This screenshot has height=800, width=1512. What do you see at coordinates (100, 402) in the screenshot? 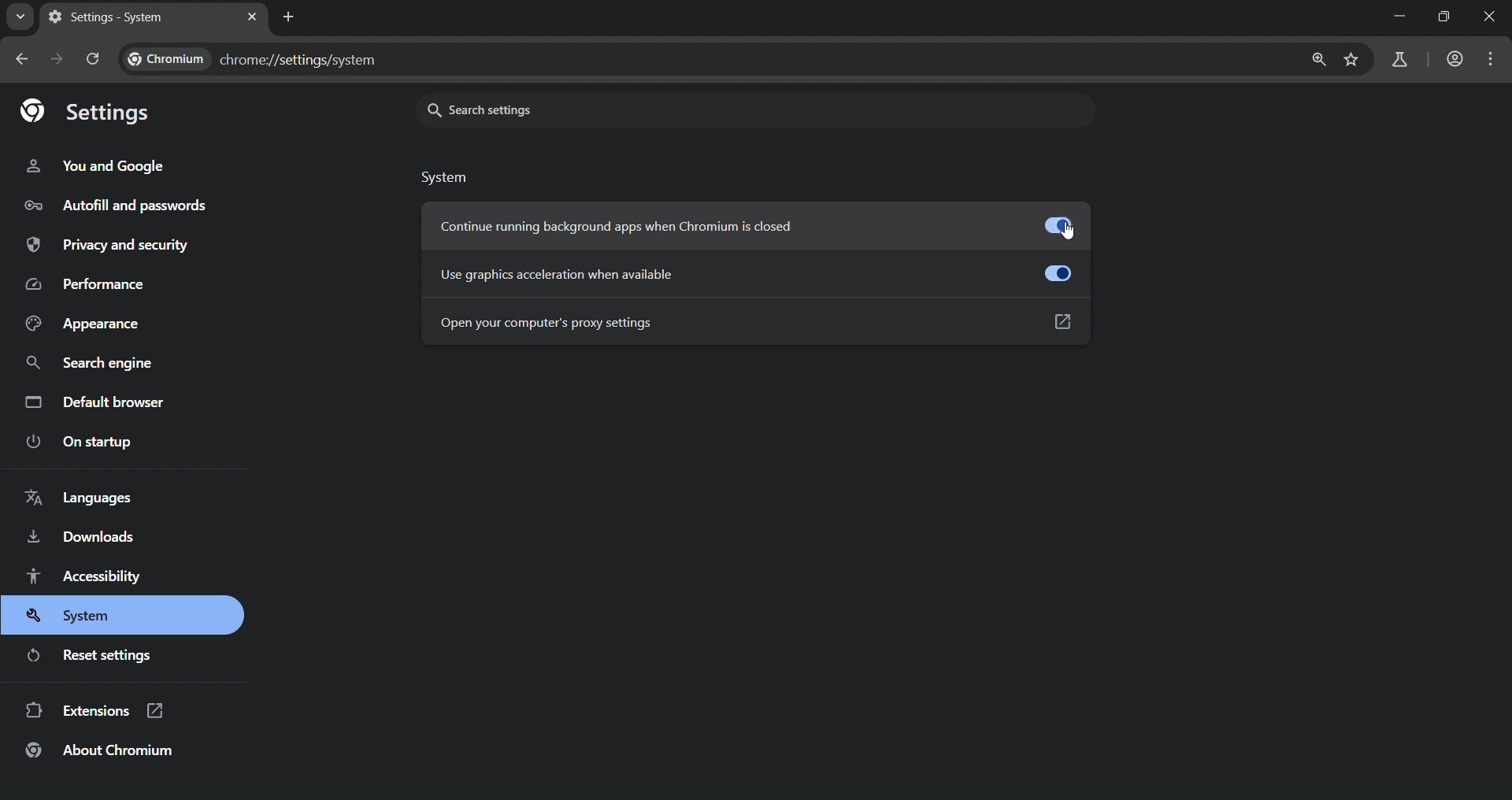
I see `default browser` at bounding box center [100, 402].